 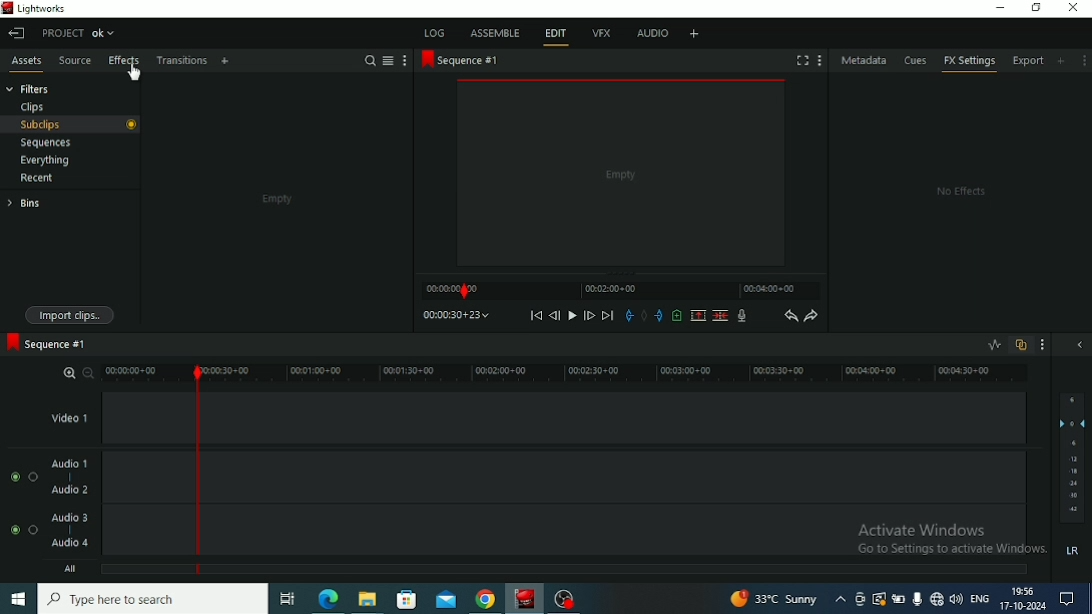 What do you see at coordinates (459, 61) in the screenshot?
I see `sequence #1` at bounding box center [459, 61].